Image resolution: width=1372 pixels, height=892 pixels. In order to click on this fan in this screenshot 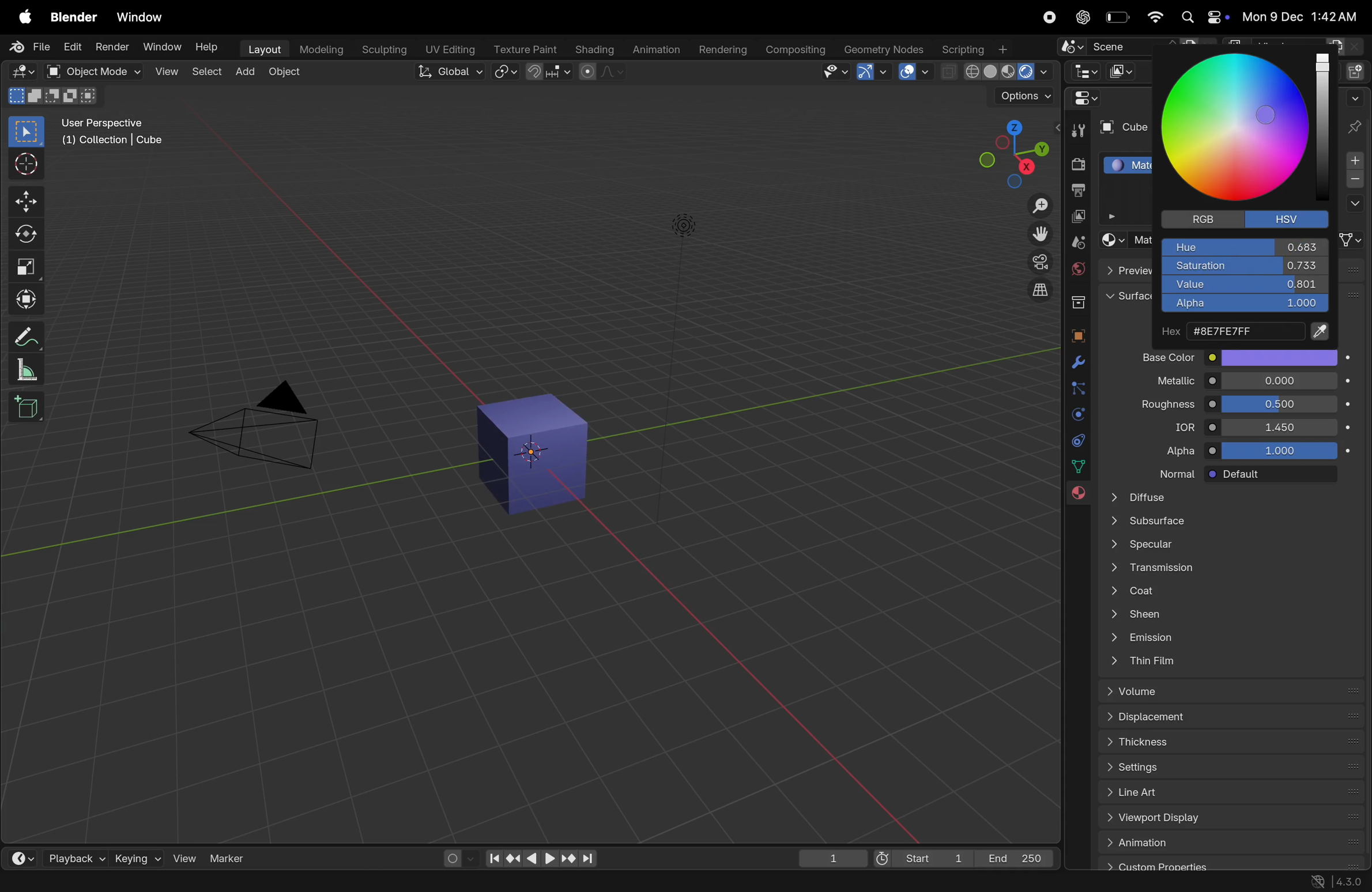, I will do `click(1231, 662)`.